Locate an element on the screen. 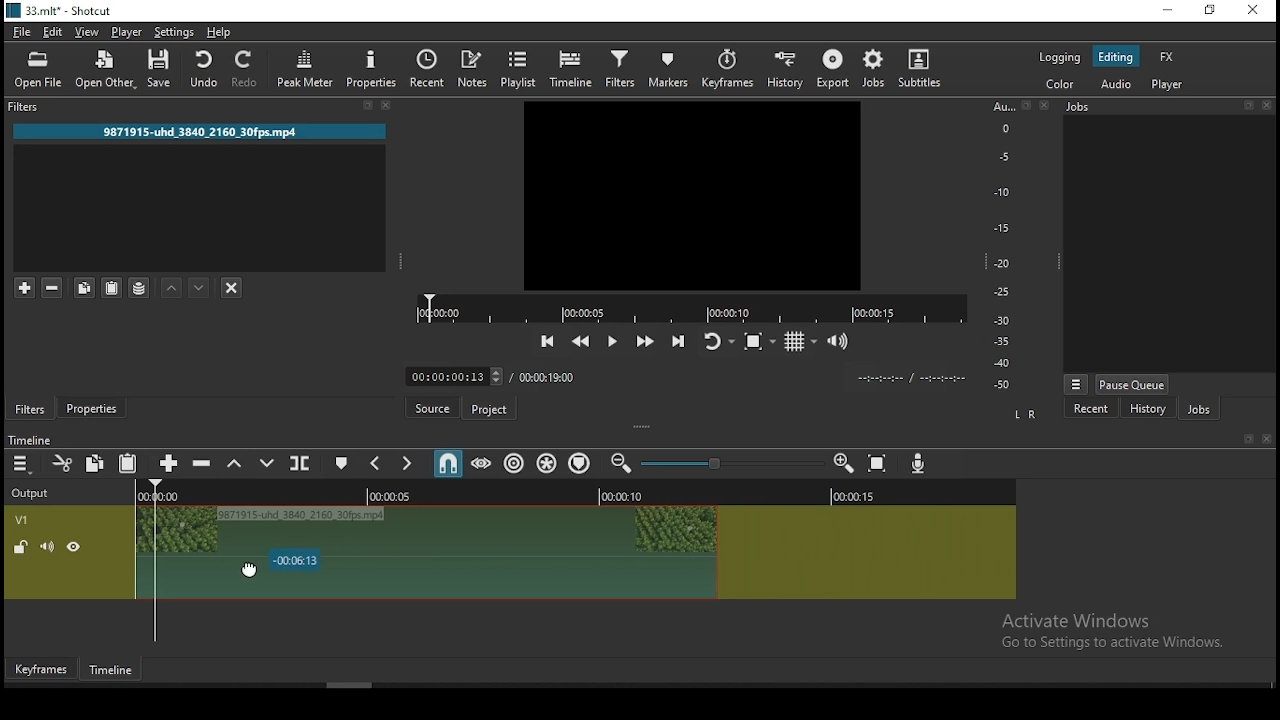 The width and height of the screenshot is (1280, 720). video clip (active selection) is located at coordinates (428, 541).